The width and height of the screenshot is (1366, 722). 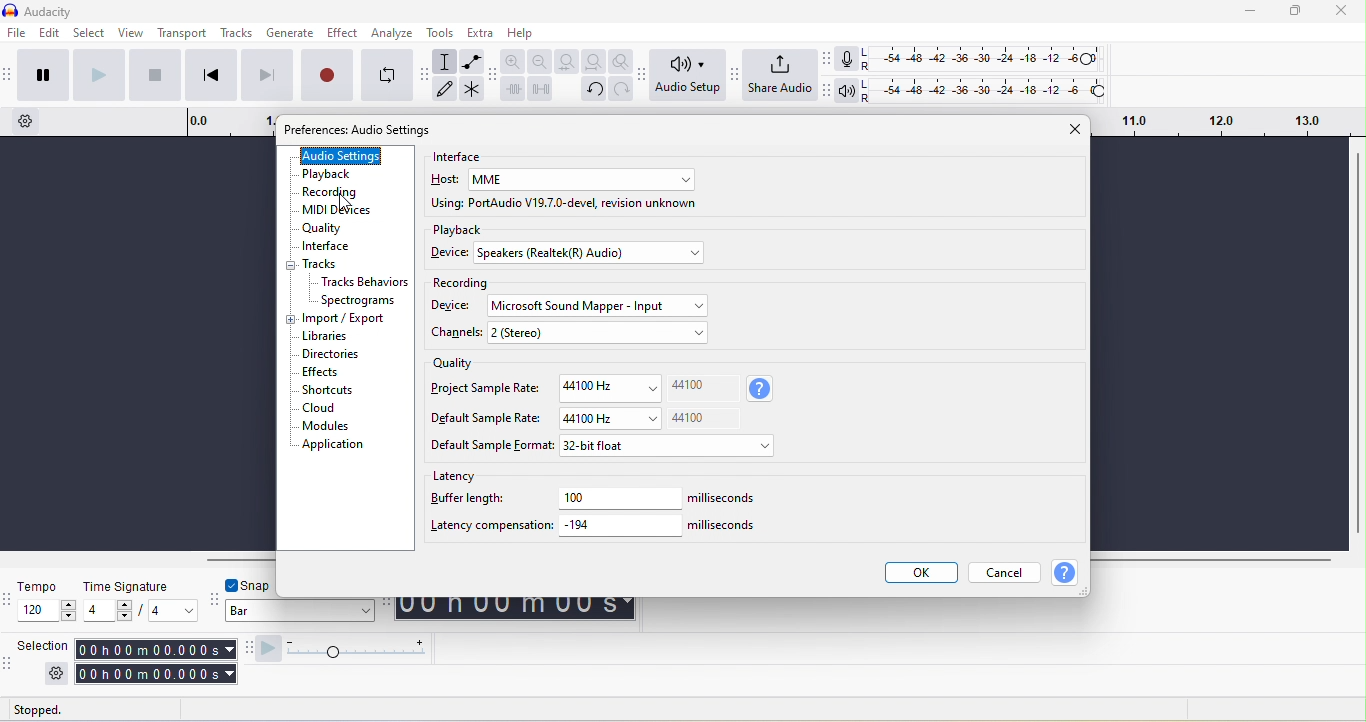 I want to click on sample rate used when recording new track mixing down track and for playback in this project, so click(x=758, y=387).